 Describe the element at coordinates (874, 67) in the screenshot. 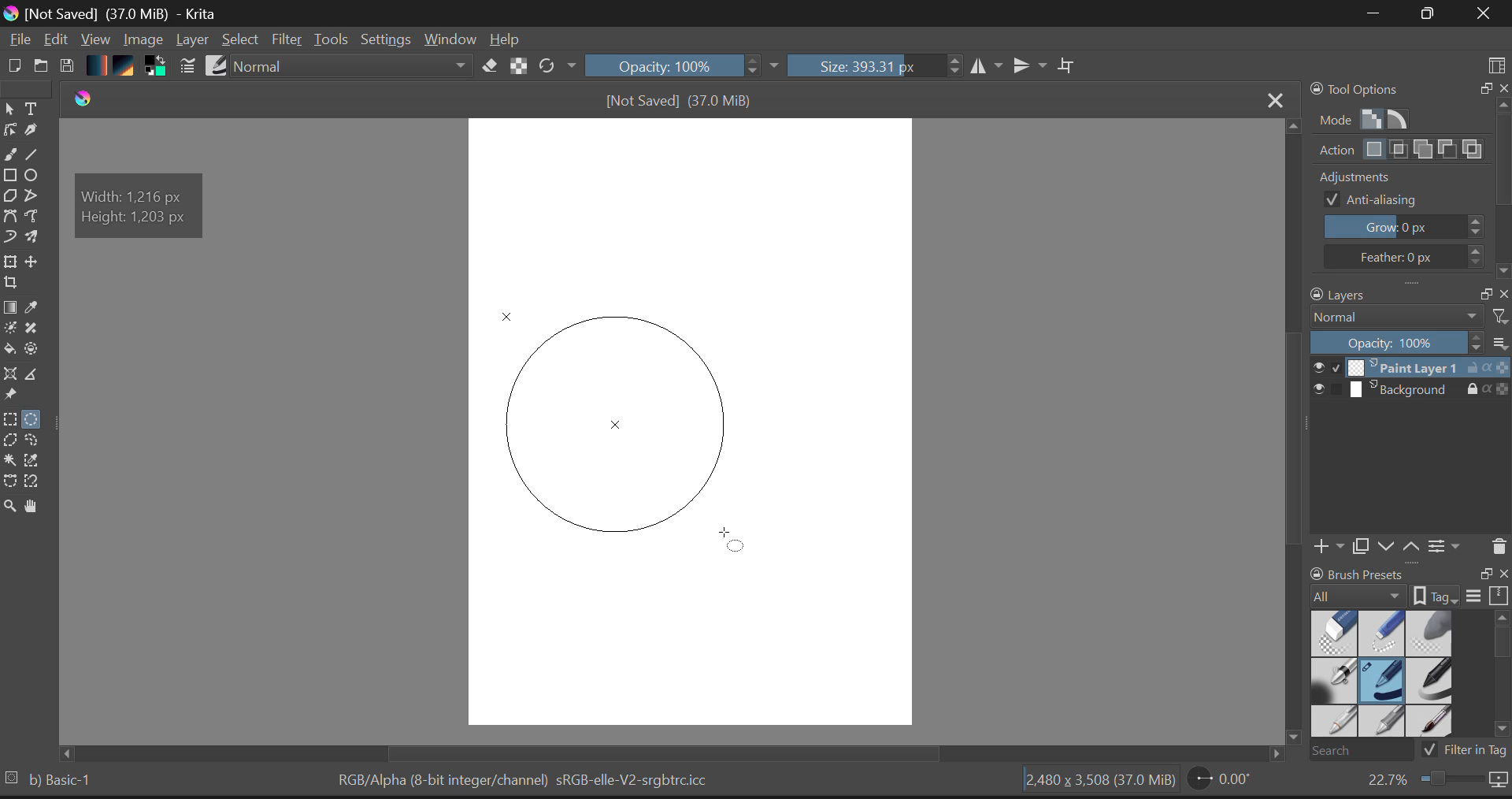

I see `Brush Size` at that location.